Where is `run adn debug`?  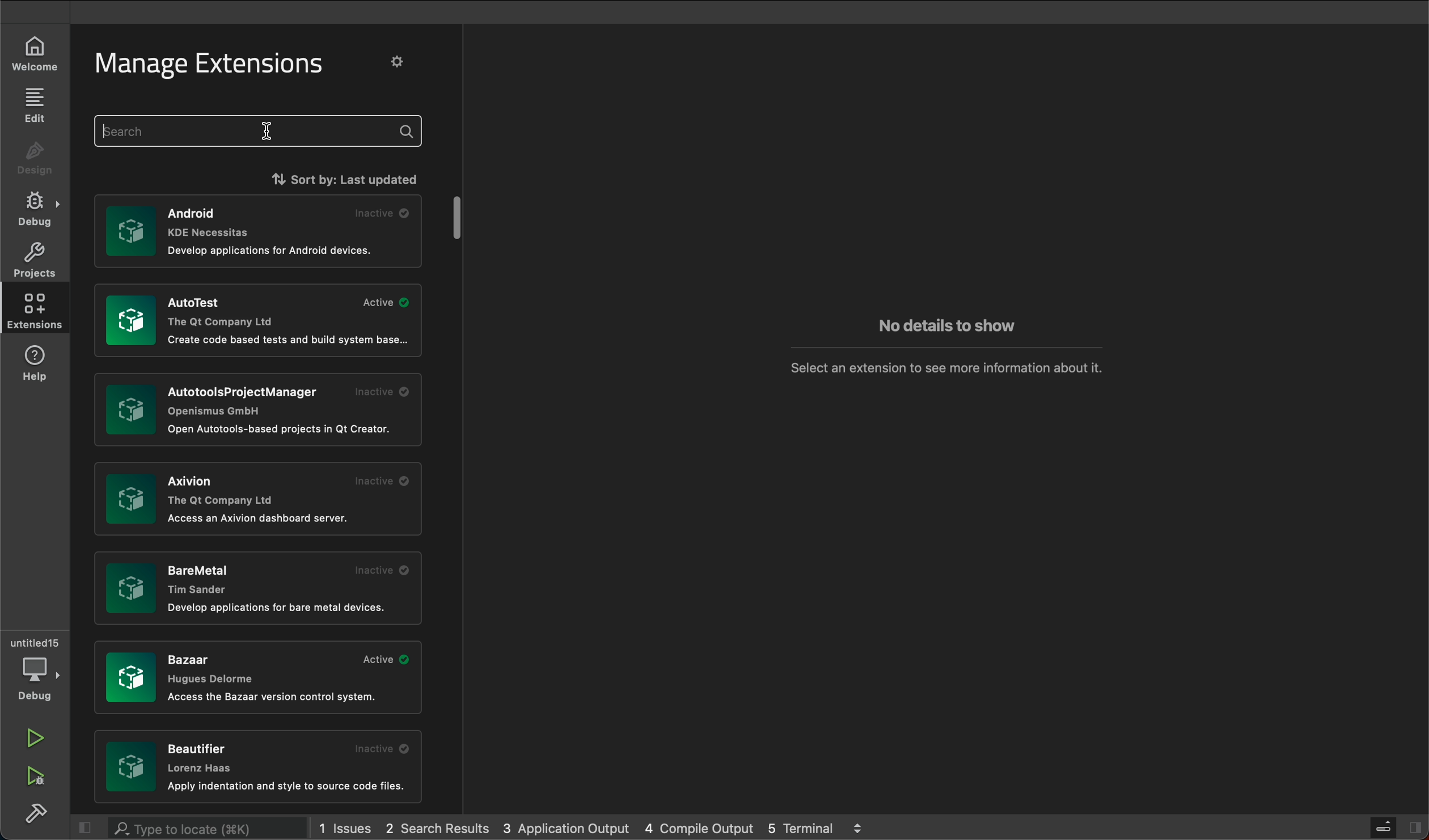 run adn debug is located at coordinates (34, 777).